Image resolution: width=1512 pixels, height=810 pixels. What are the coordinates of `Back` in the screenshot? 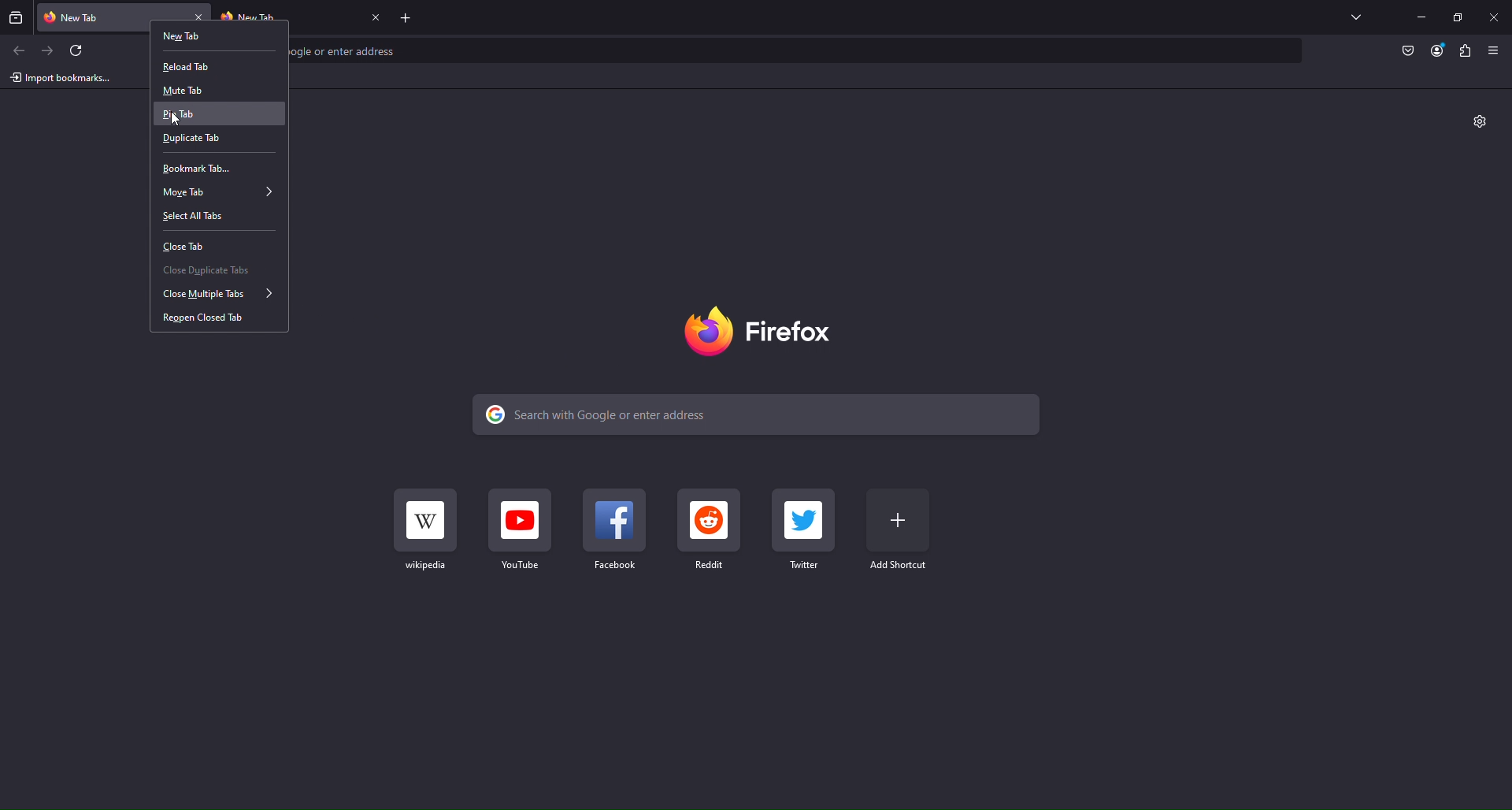 It's located at (18, 50).